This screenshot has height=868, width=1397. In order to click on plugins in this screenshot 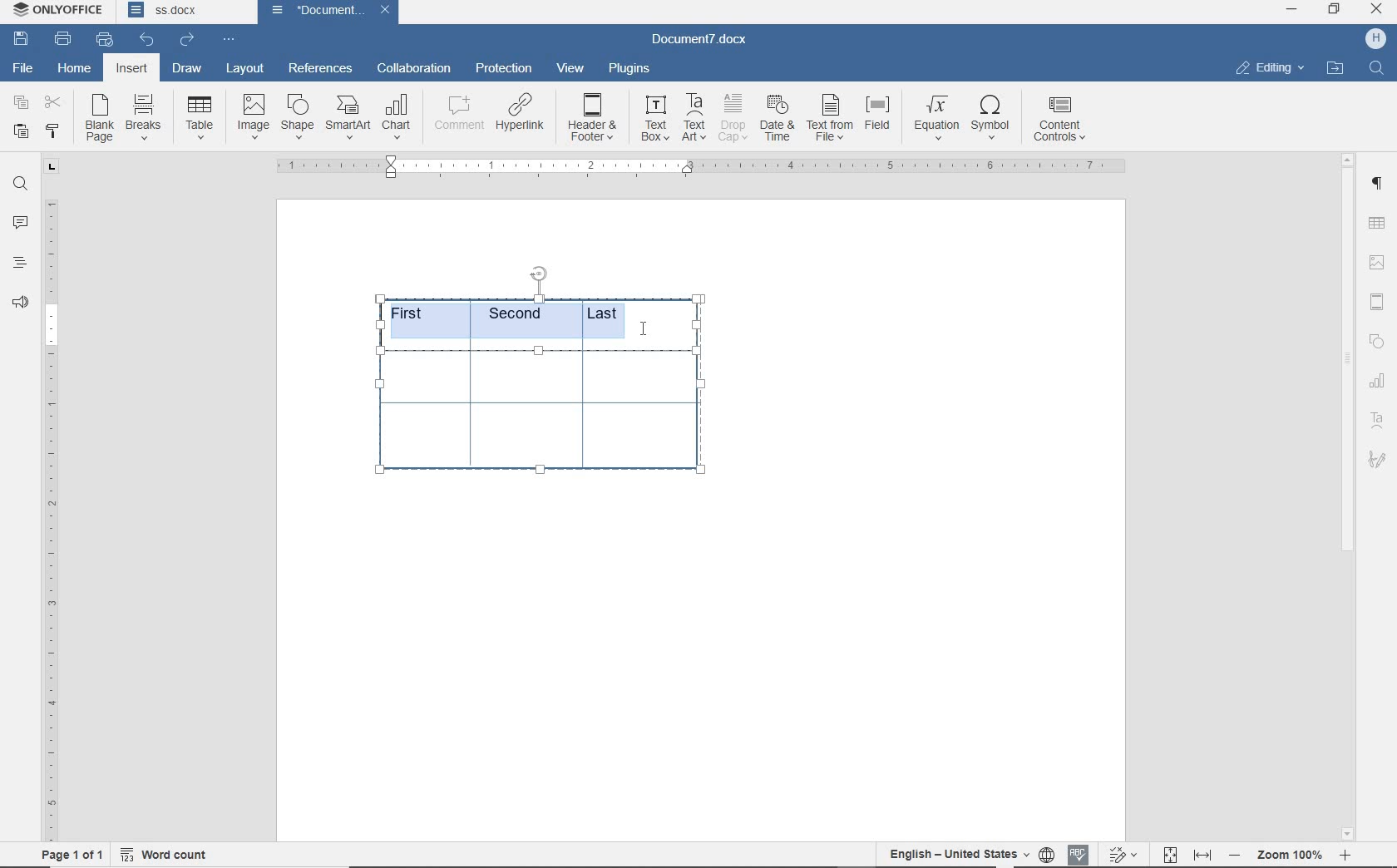, I will do `click(629, 67)`.